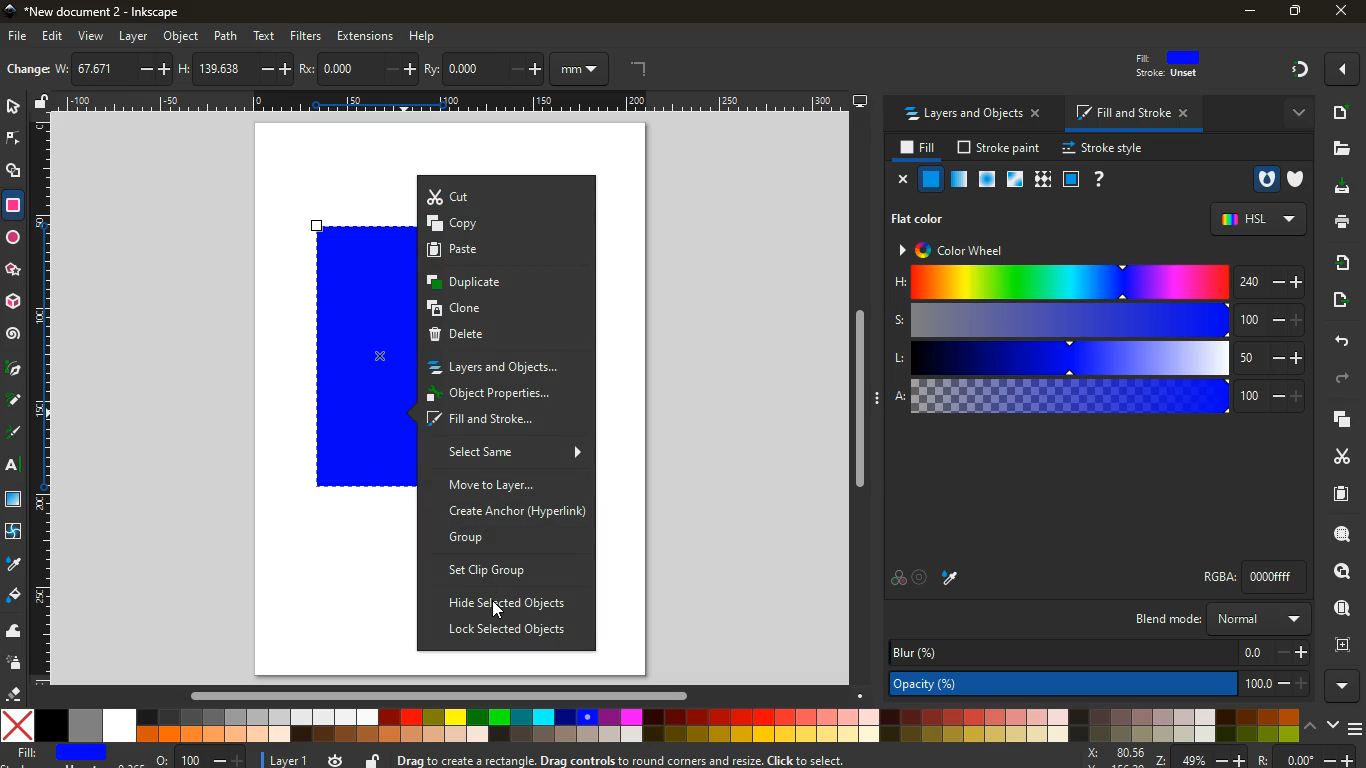  I want to click on cut, so click(1337, 456).